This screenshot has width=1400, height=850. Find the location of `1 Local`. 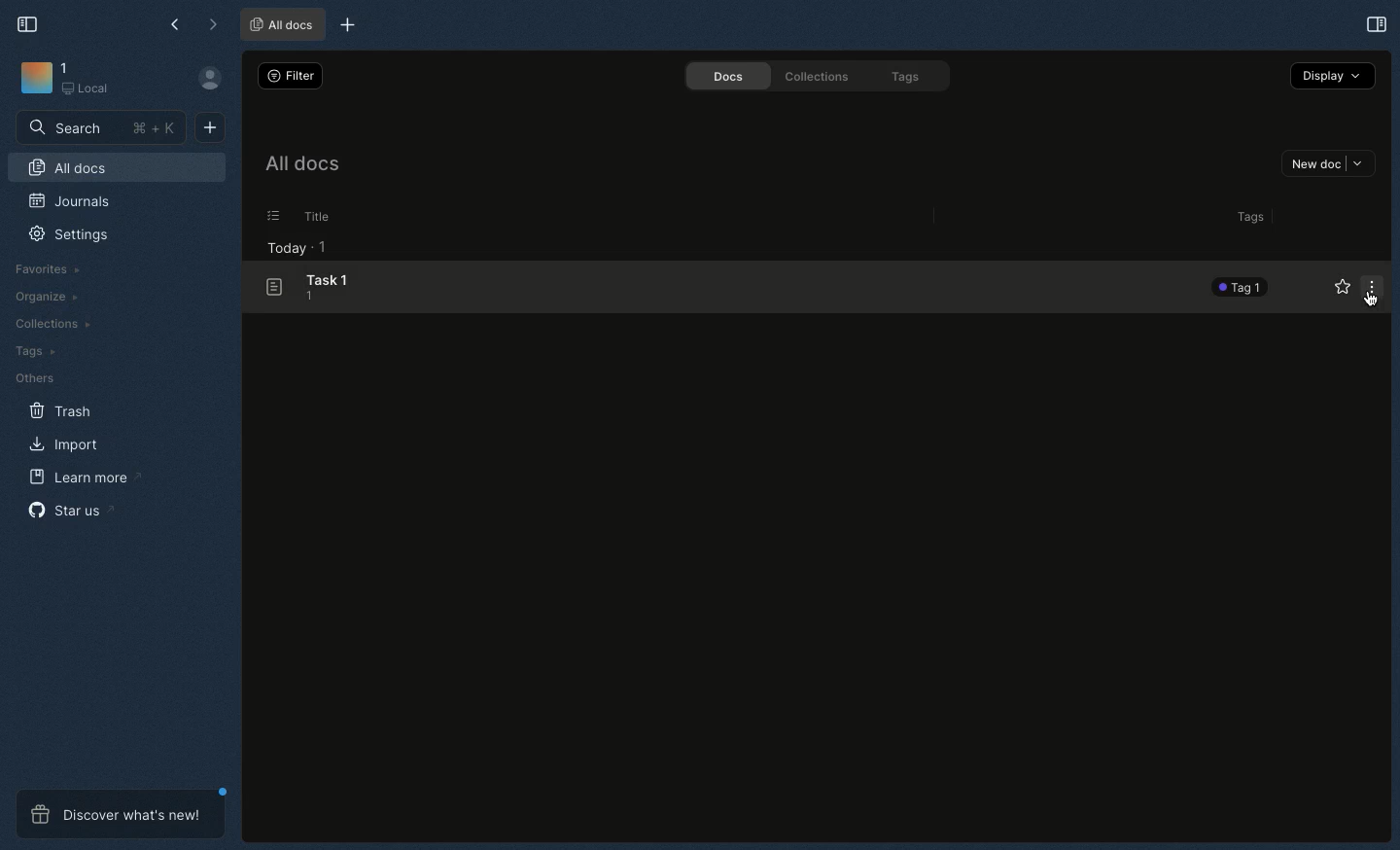

1 Local is located at coordinates (87, 78).